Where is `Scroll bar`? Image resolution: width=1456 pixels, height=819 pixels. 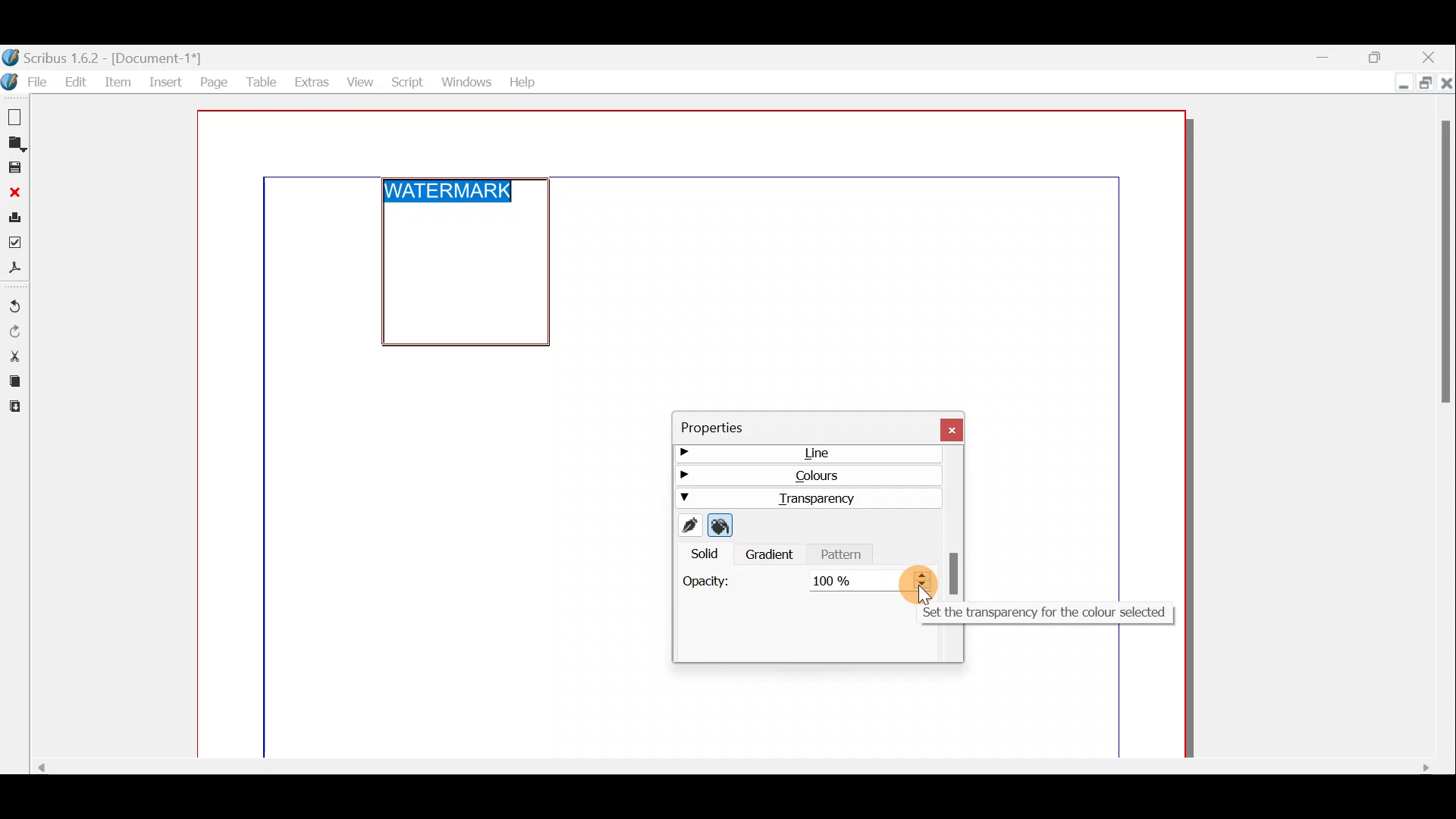
Scroll bar is located at coordinates (724, 769).